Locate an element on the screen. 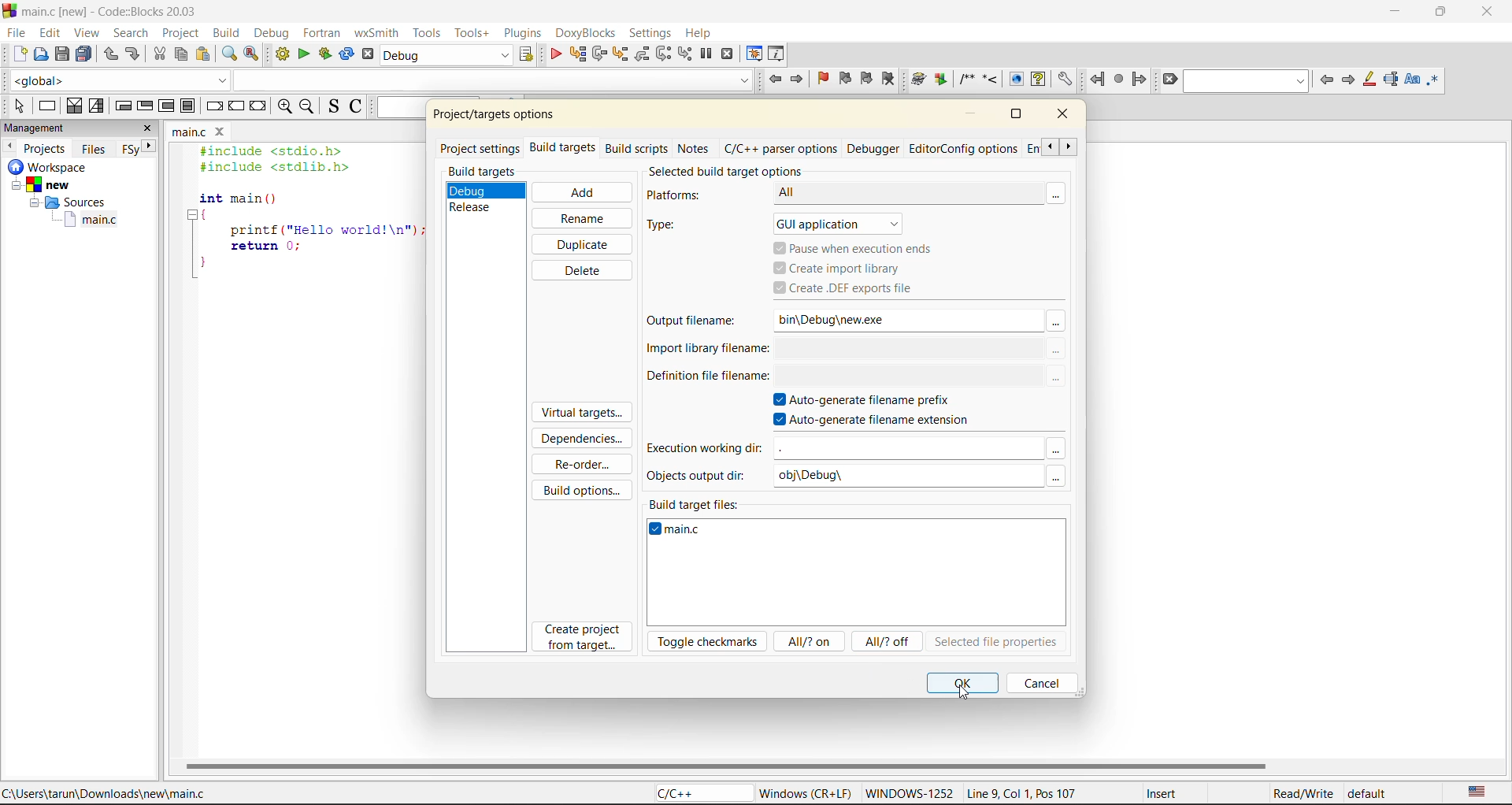  autogenerate filename extension is located at coordinates (869, 423).